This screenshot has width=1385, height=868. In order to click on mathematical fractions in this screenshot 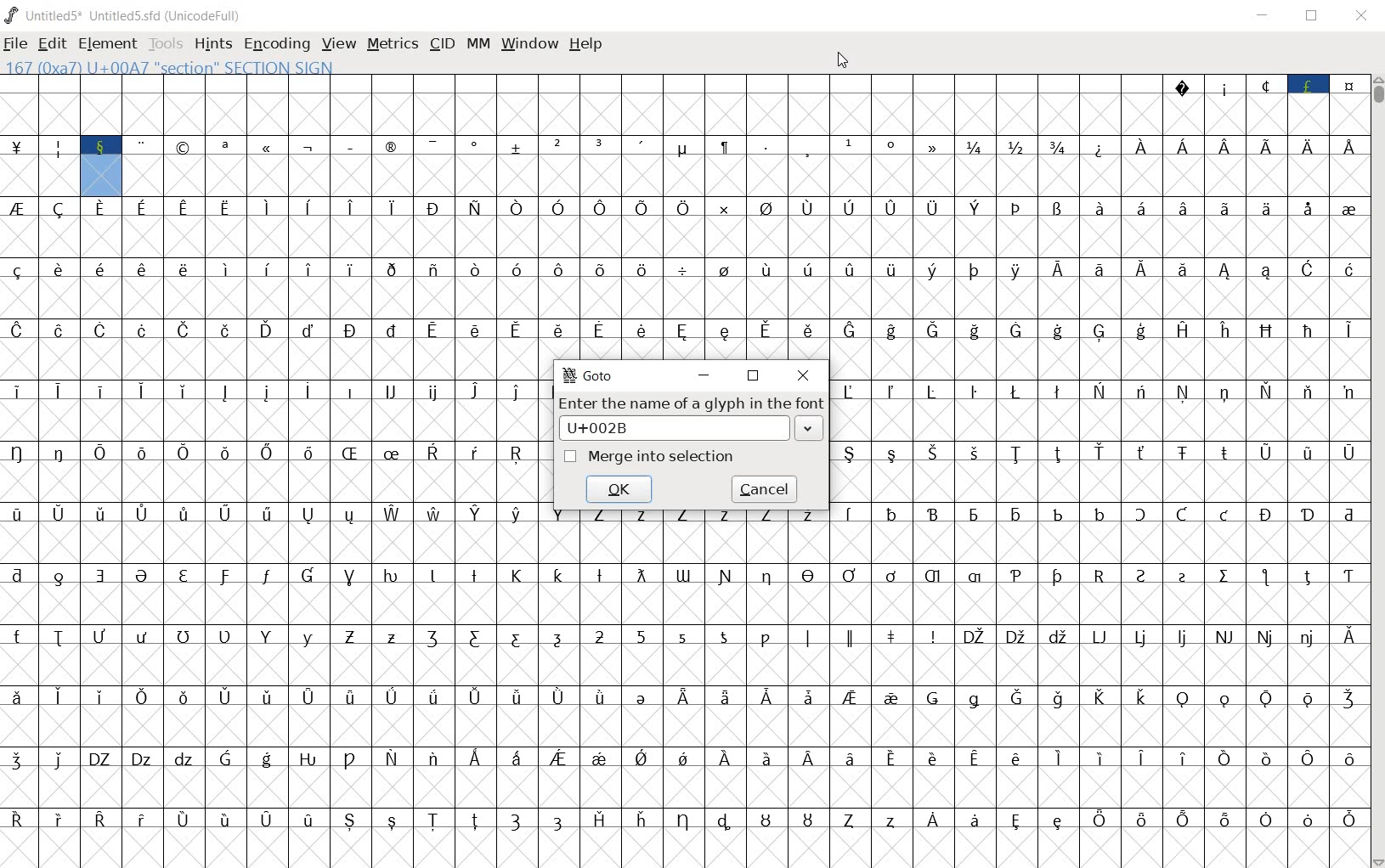, I will do `click(1017, 165)`.